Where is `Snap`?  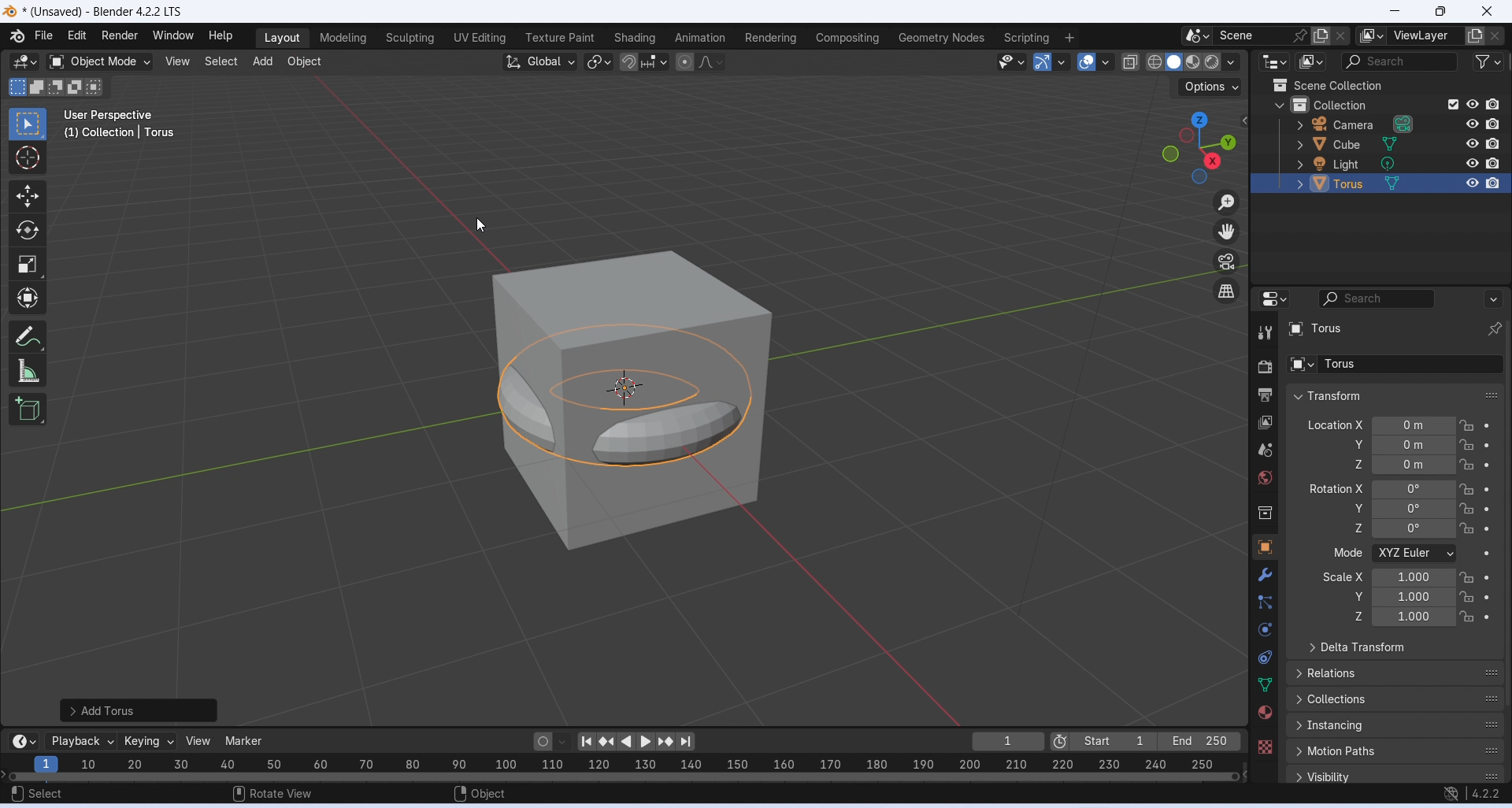
Snap is located at coordinates (629, 62).